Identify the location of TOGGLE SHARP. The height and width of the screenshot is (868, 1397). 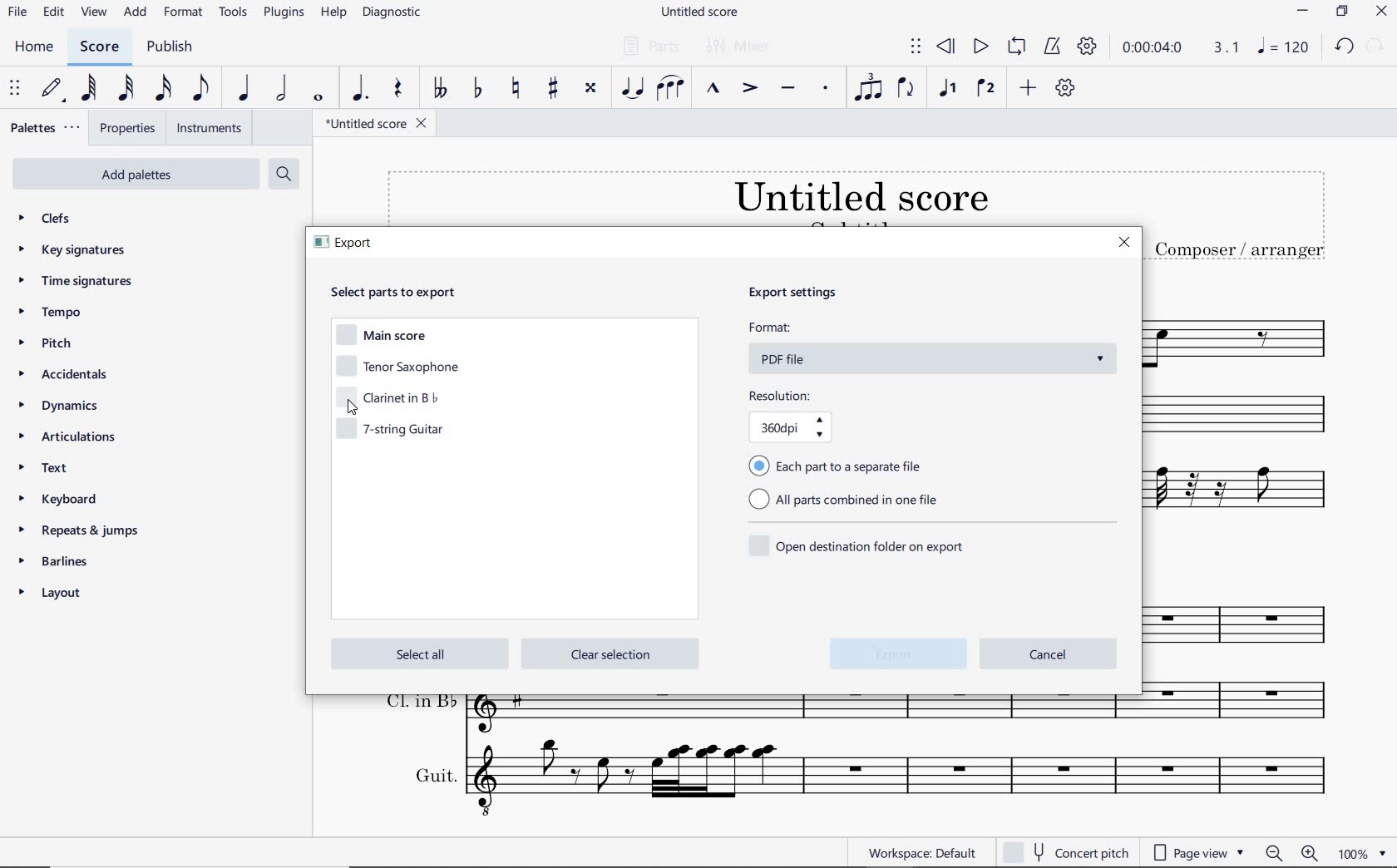
(554, 90).